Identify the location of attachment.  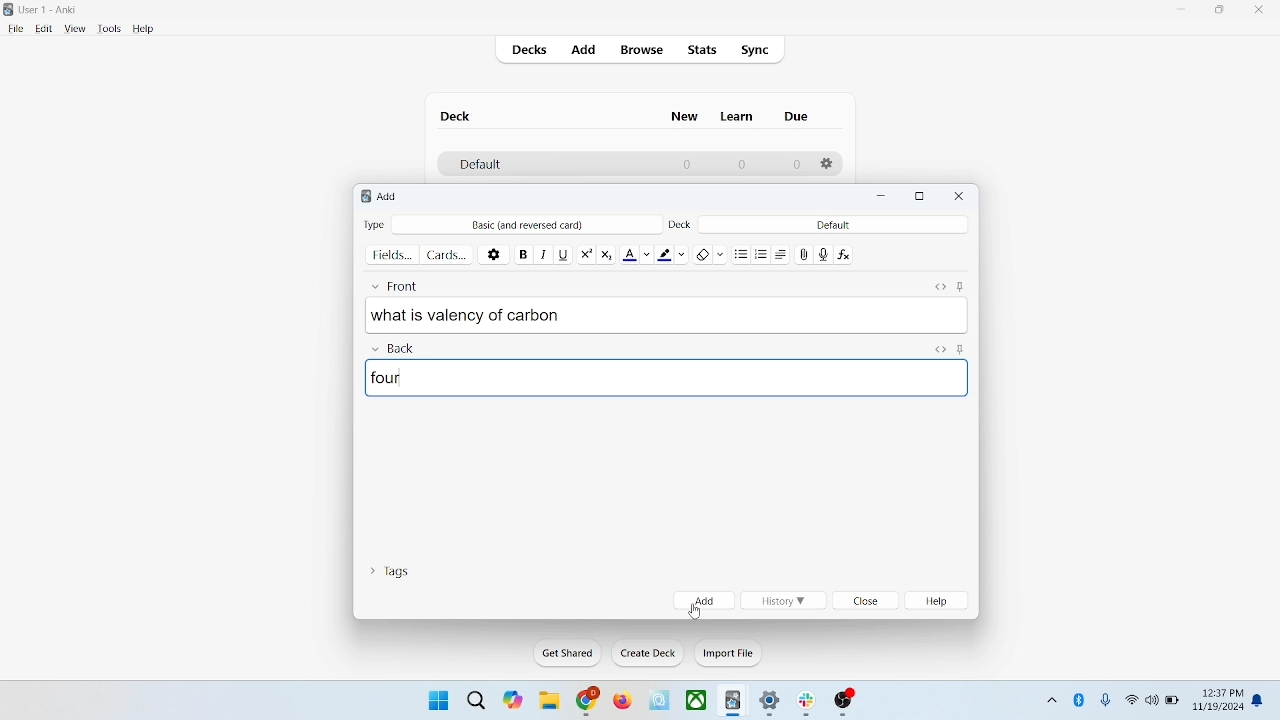
(805, 253).